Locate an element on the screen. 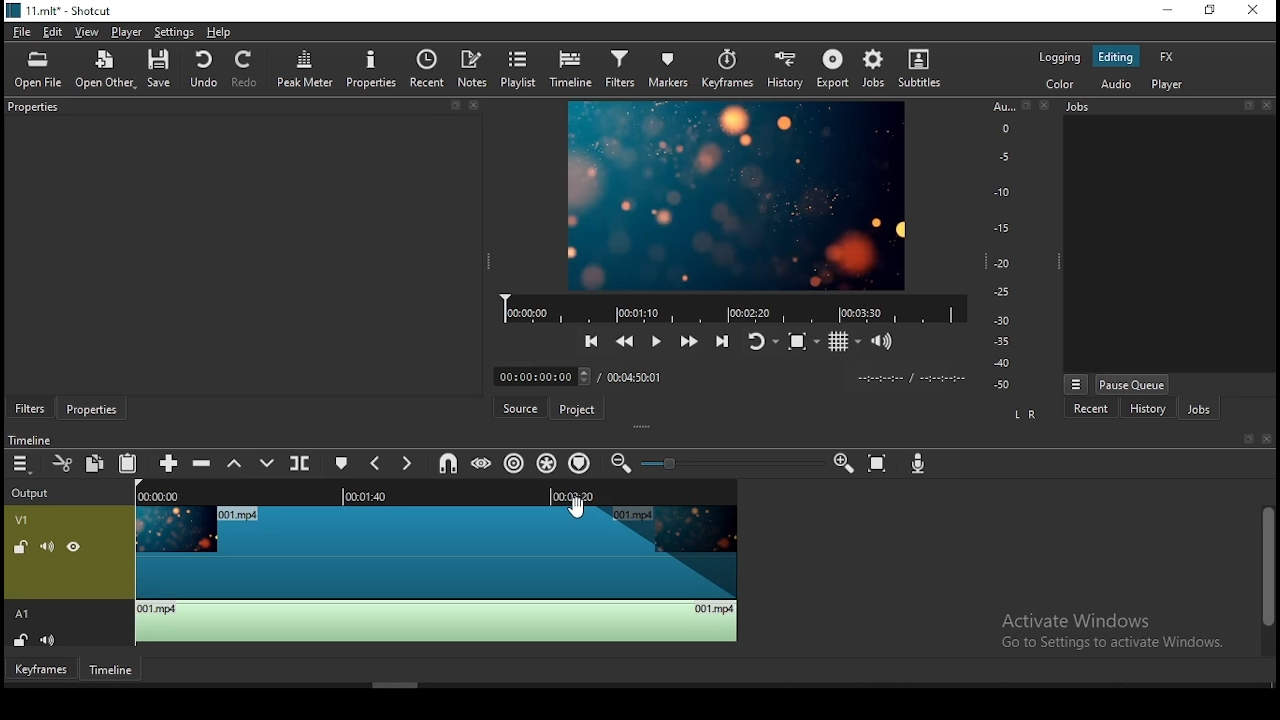  previous marker is located at coordinates (375, 463).